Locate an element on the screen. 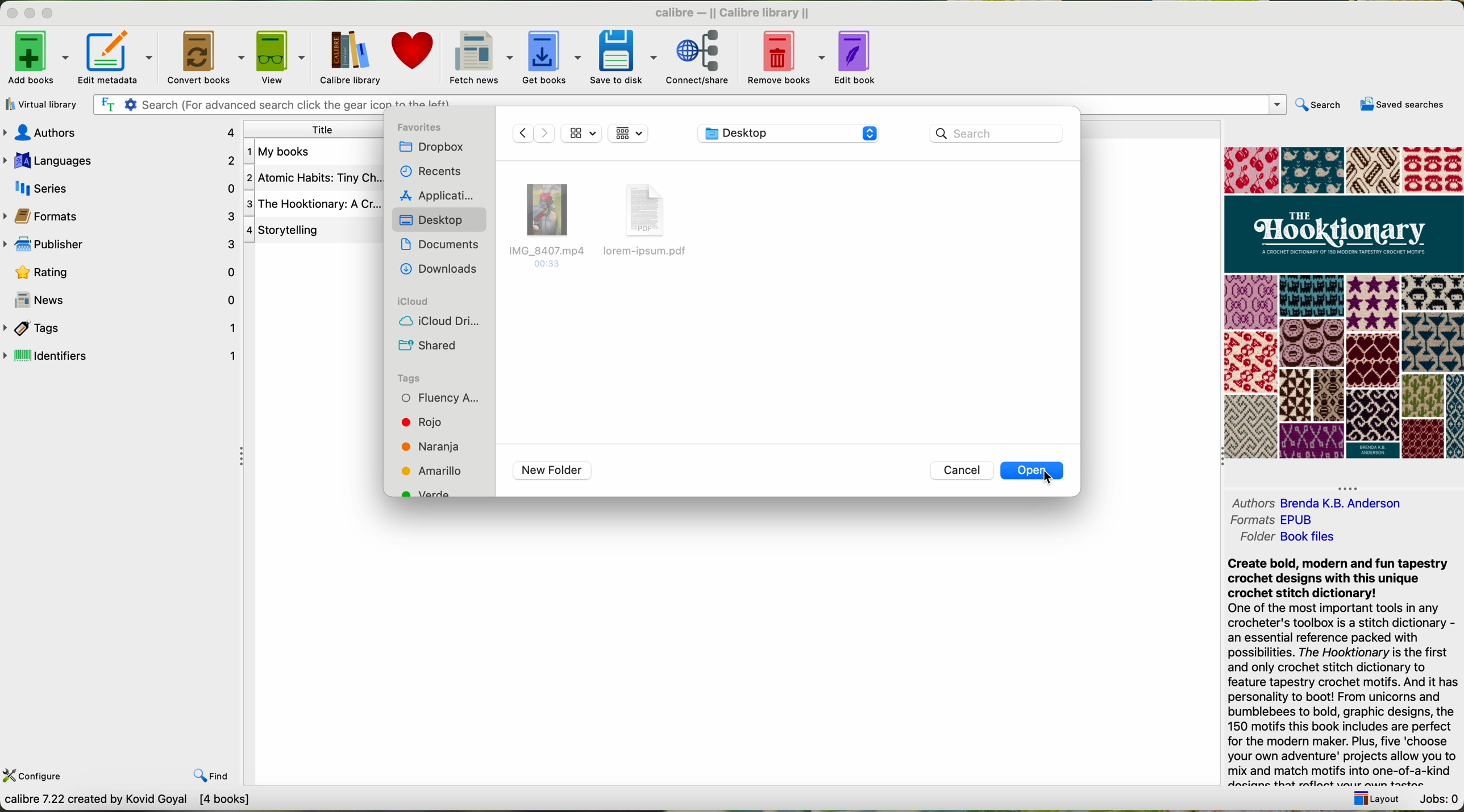 The height and width of the screenshot is (812, 1464). dropbox is located at coordinates (435, 147).